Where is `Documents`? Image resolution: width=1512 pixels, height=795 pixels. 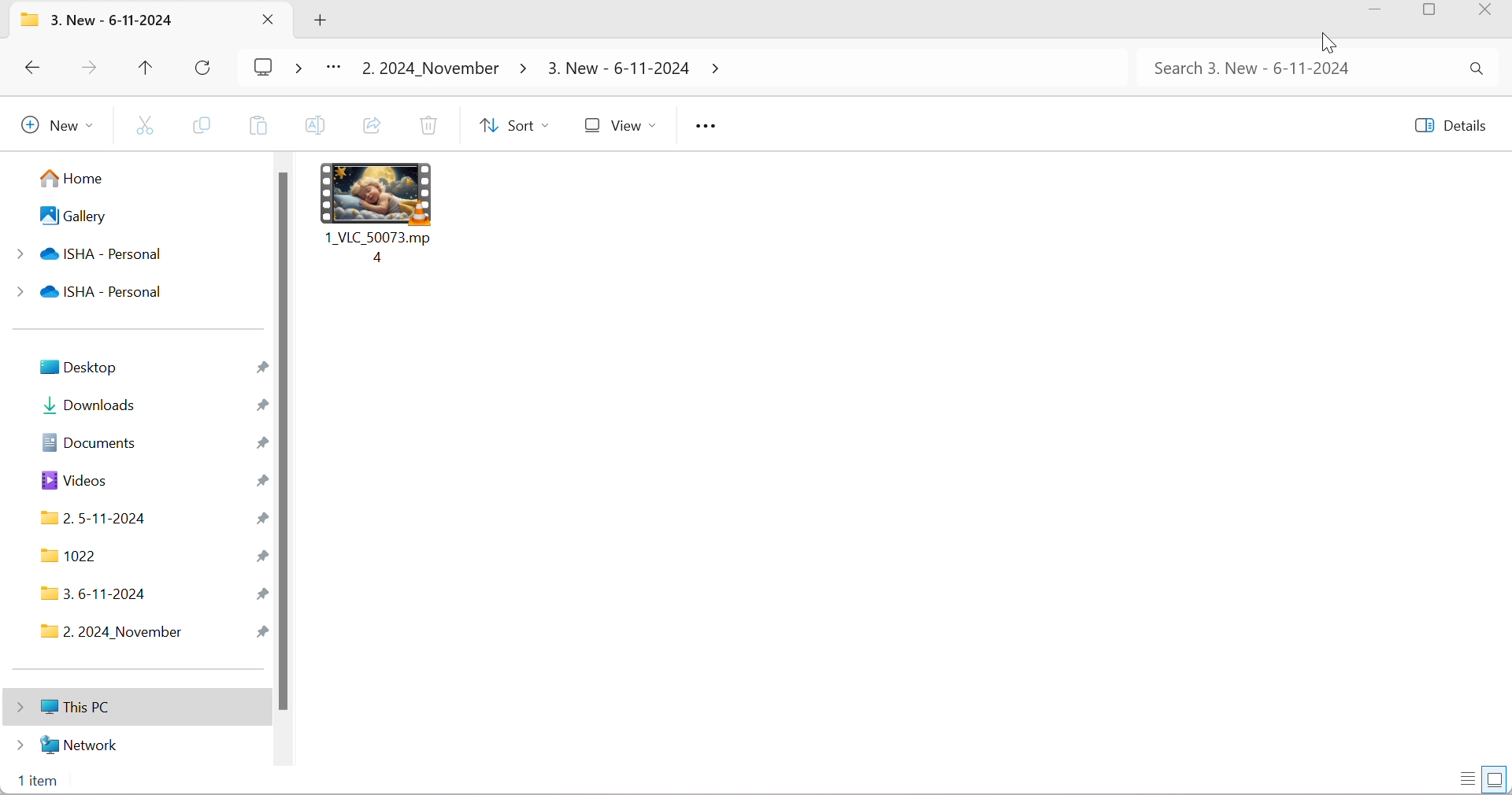 Documents is located at coordinates (91, 442).